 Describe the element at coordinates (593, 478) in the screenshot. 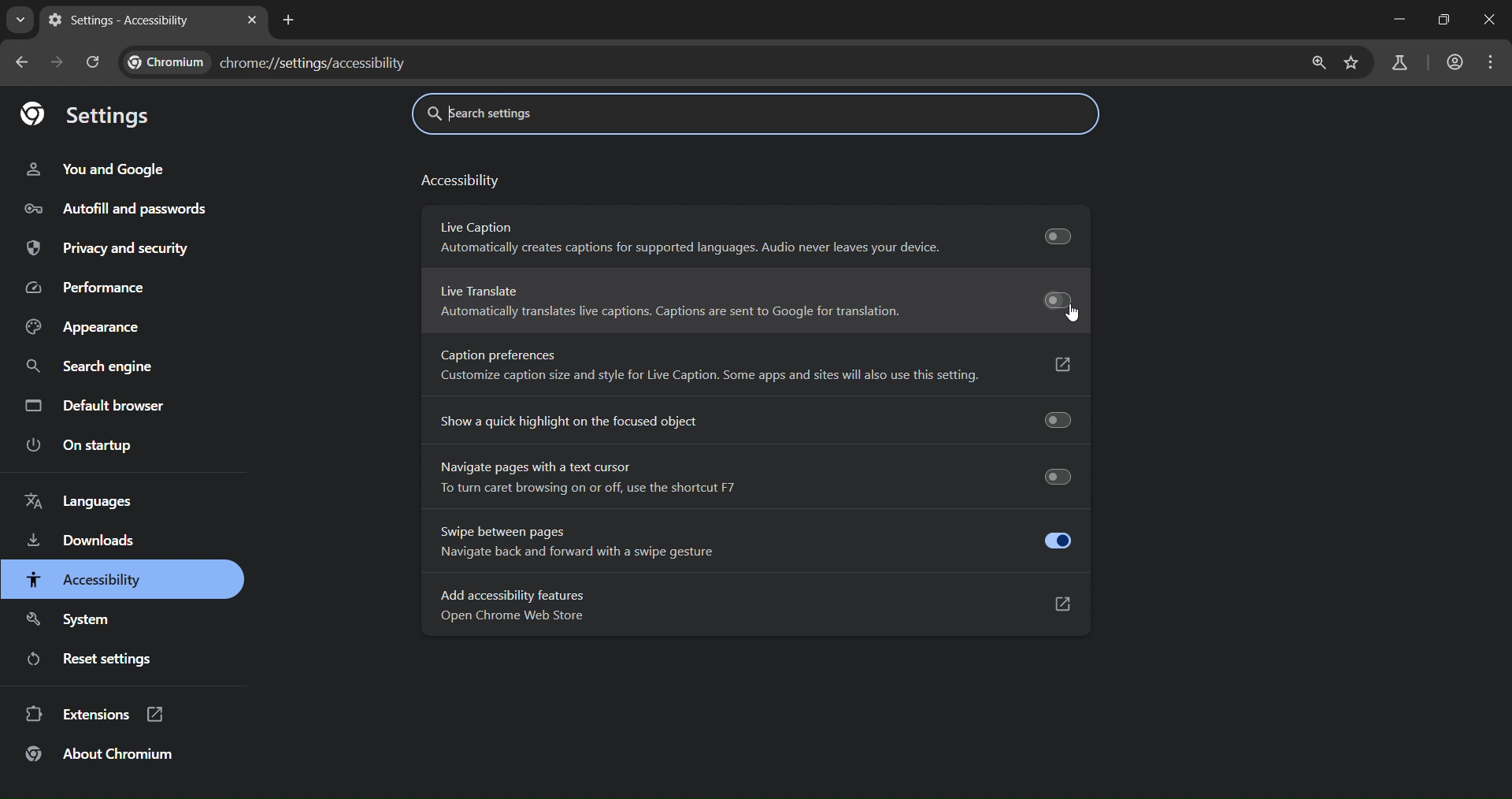

I see `Navigate pages with a text cursor
To turn caret browsing on or off, use the shortcut F7` at that location.